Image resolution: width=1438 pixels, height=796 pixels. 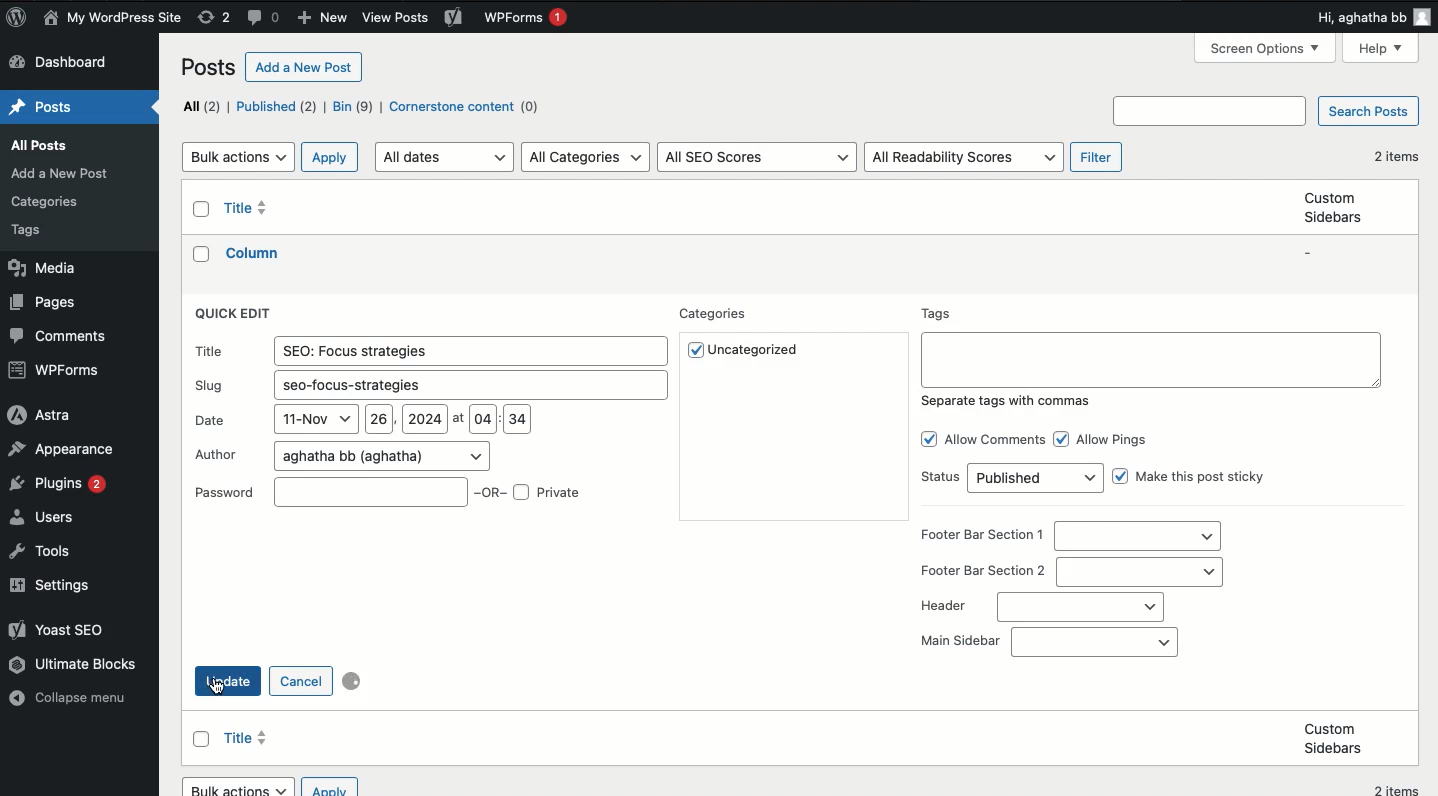 I want to click on Posts, so click(x=45, y=108).